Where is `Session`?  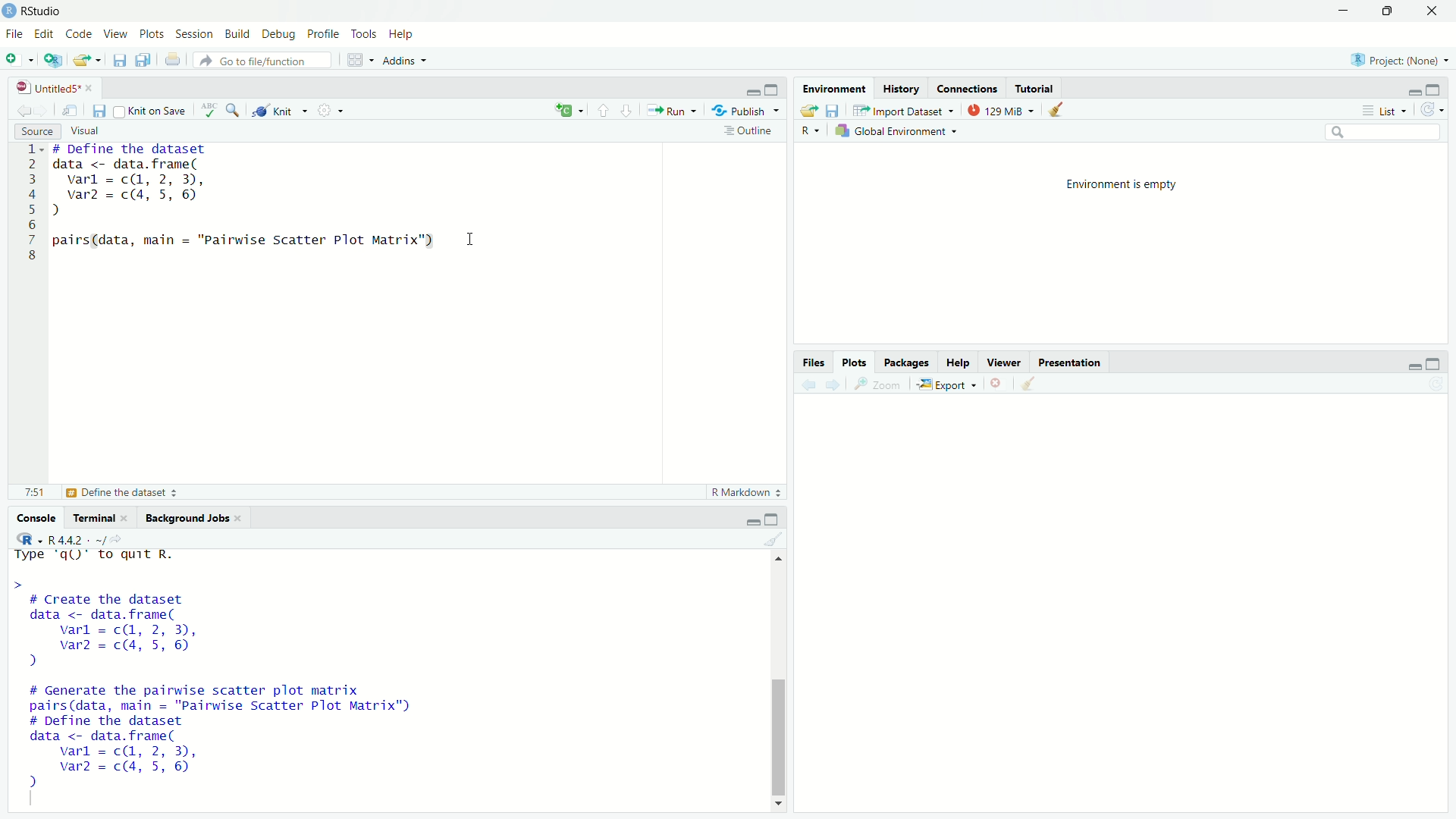 Session is located at coordinates (194, 33).